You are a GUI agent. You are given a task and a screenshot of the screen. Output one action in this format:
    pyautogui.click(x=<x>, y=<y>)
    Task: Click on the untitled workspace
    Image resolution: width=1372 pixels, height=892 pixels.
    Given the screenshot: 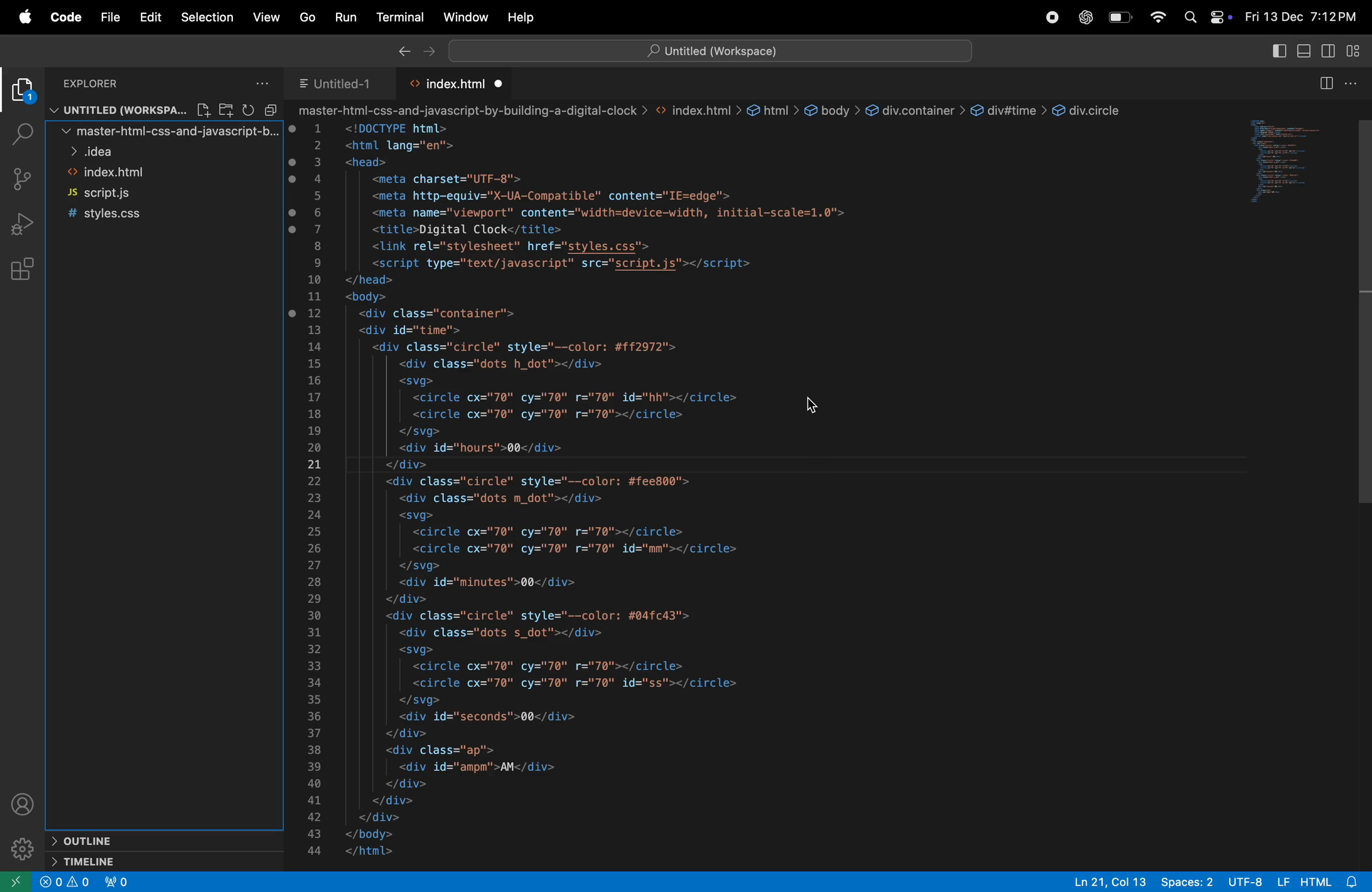 What is the action you would take?
    pyautogui.click(x=710, y=50)
    